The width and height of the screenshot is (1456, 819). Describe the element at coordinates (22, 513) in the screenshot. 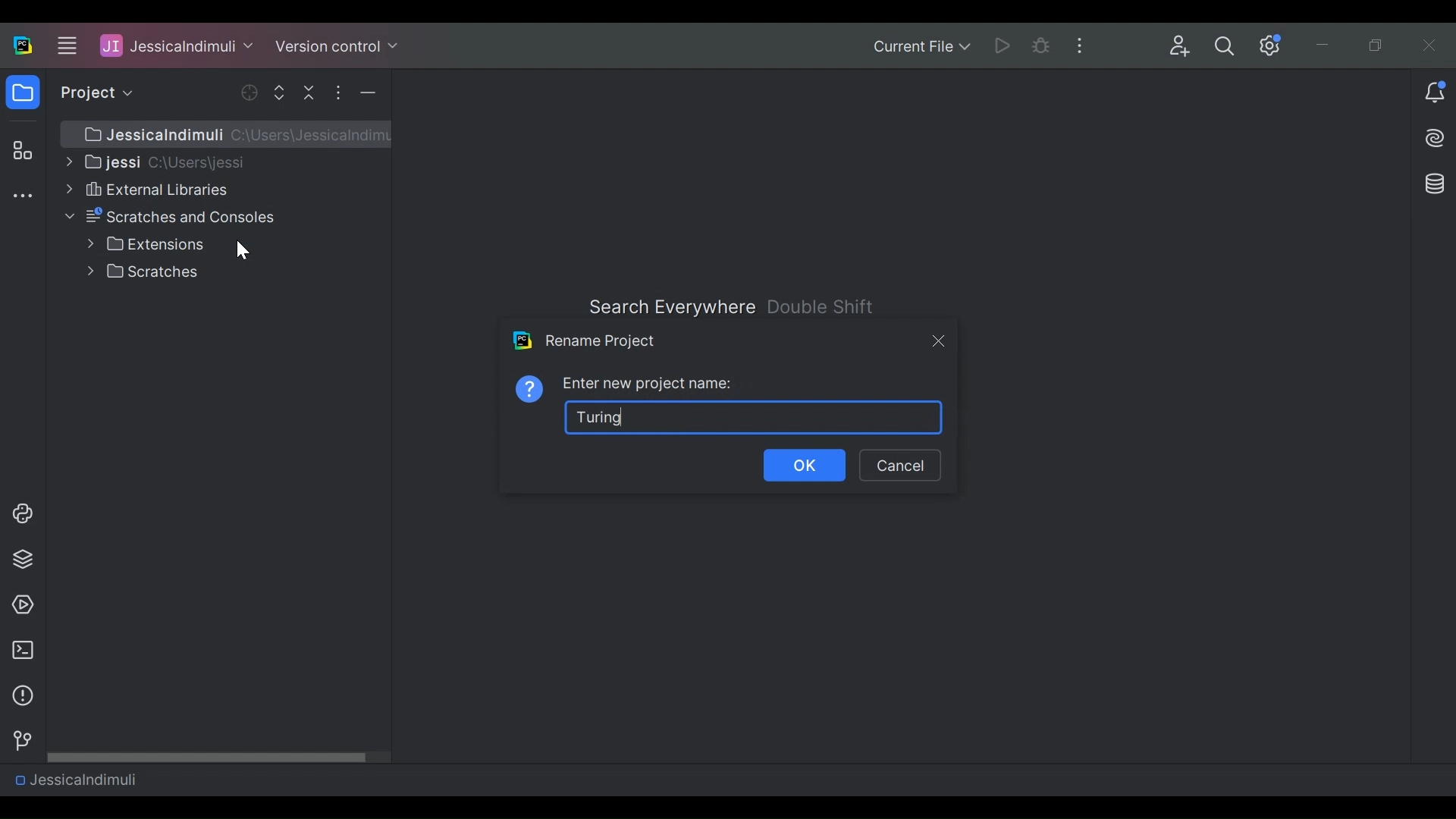

I see `python` at that location.